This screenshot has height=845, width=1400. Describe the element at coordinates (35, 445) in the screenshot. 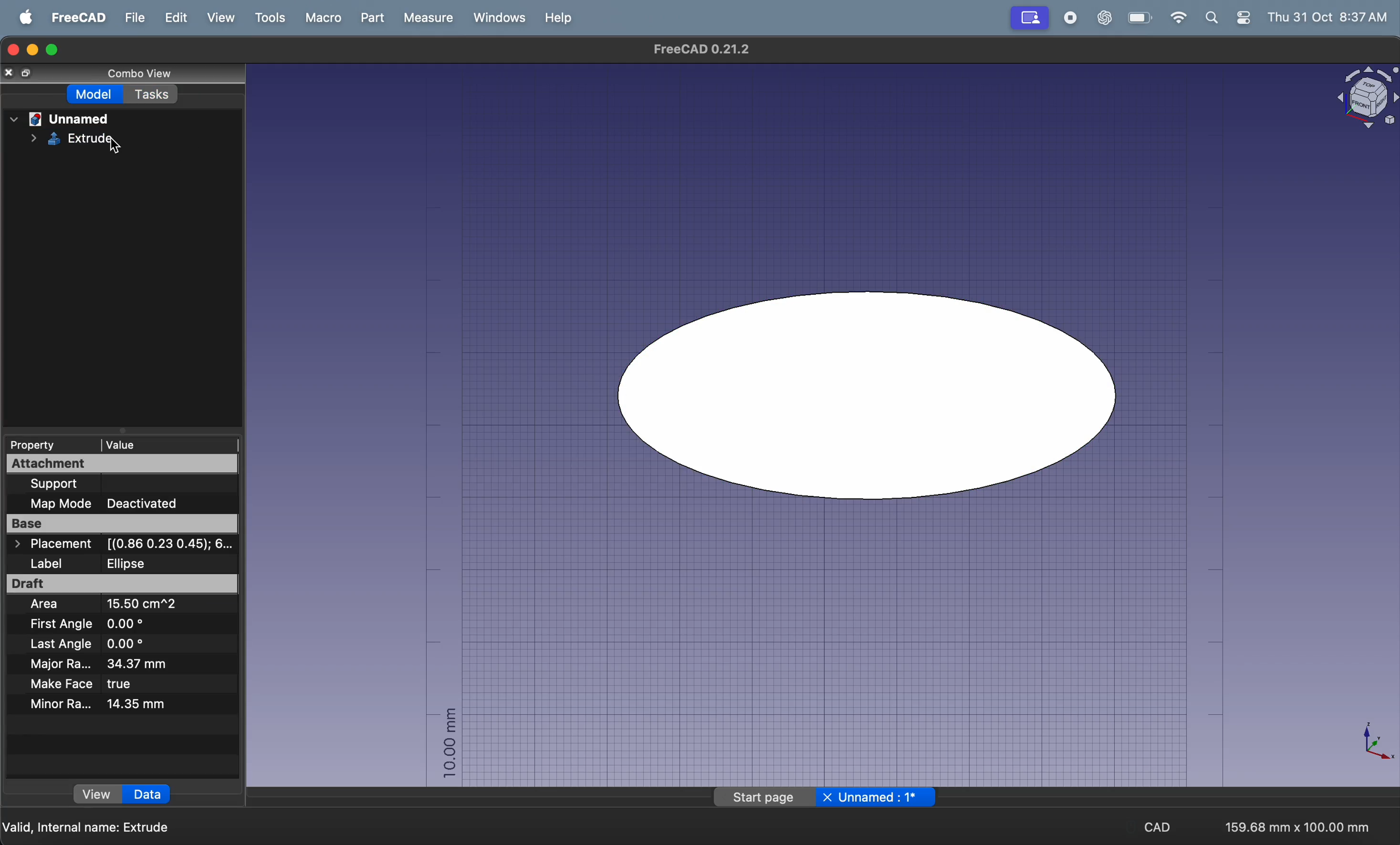

I see `property` at that location.